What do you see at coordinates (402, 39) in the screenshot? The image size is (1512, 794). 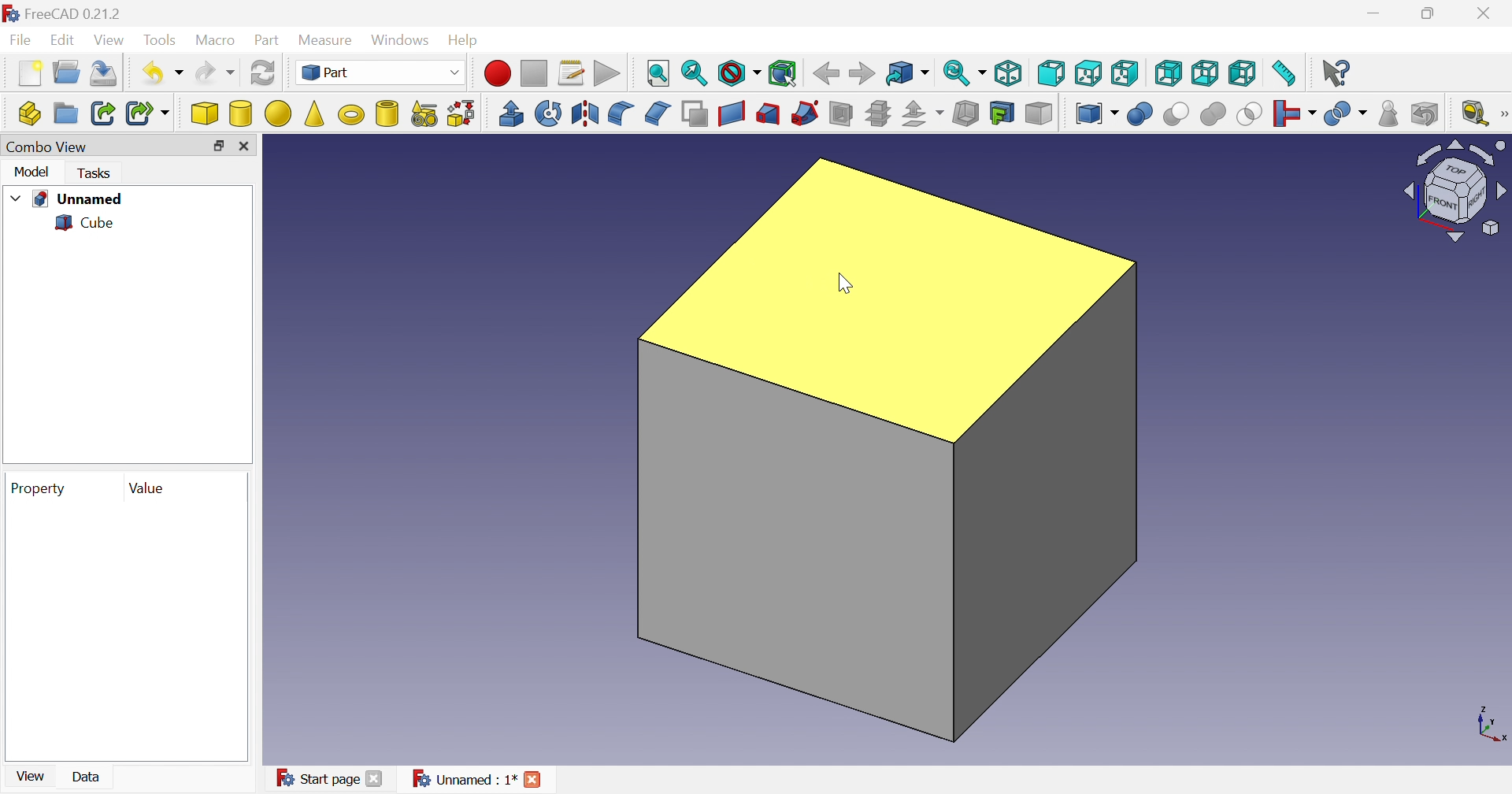 I see `Windows` at bounding box center [402, 39].